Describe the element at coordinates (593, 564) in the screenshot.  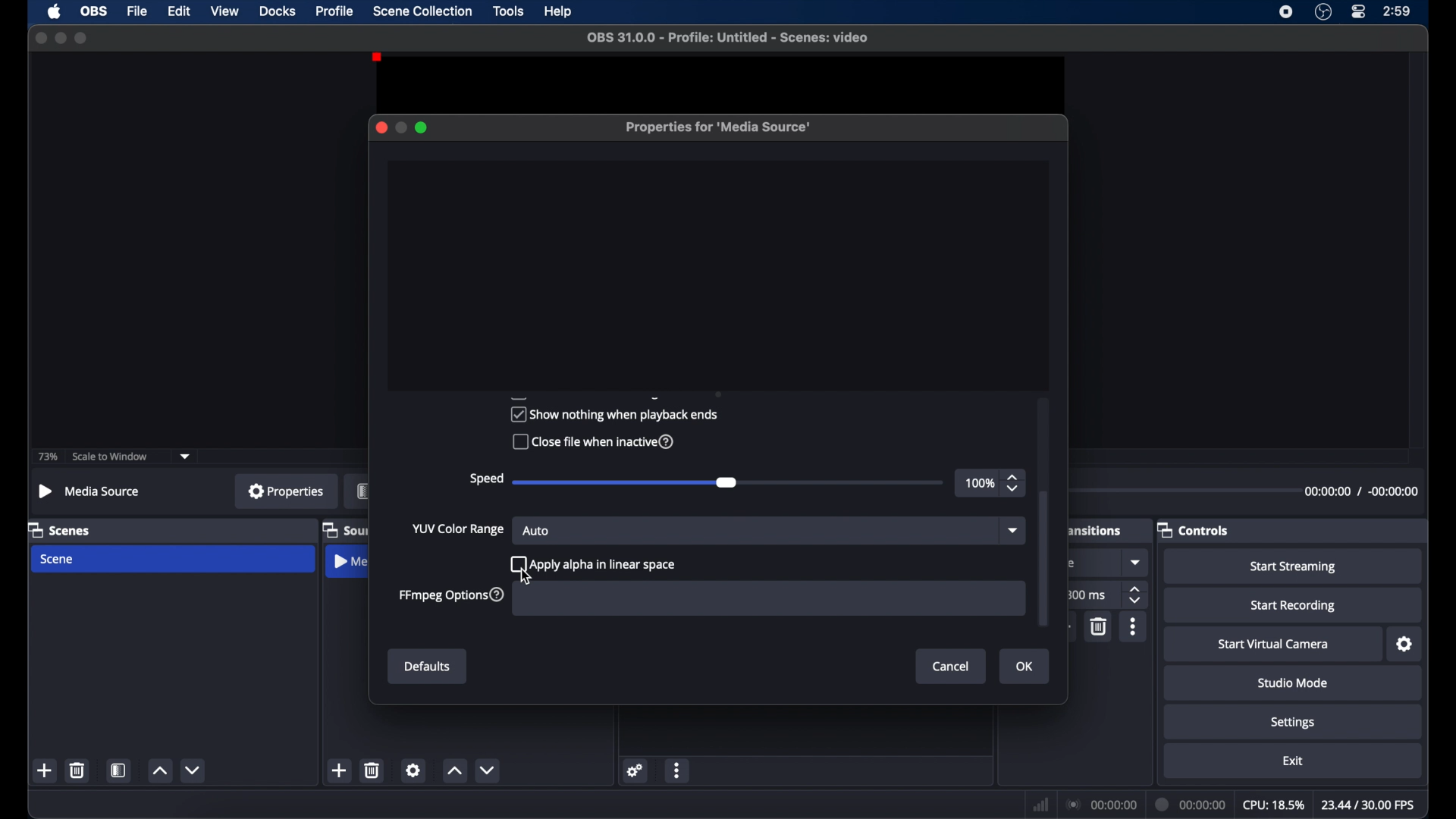
I see `apply alpha in linear space` at that location.